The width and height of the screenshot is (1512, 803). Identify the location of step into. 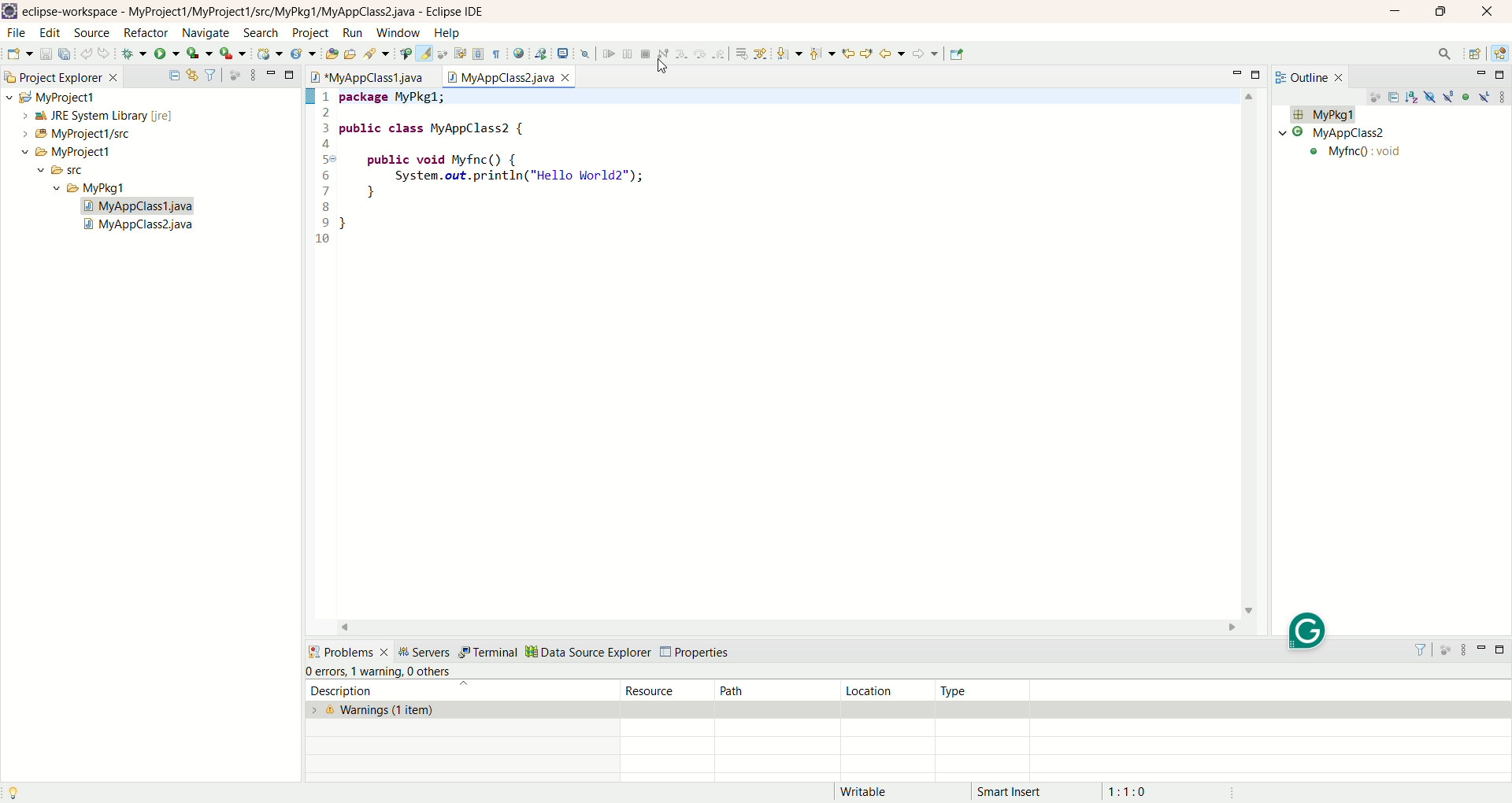
(681, 55).